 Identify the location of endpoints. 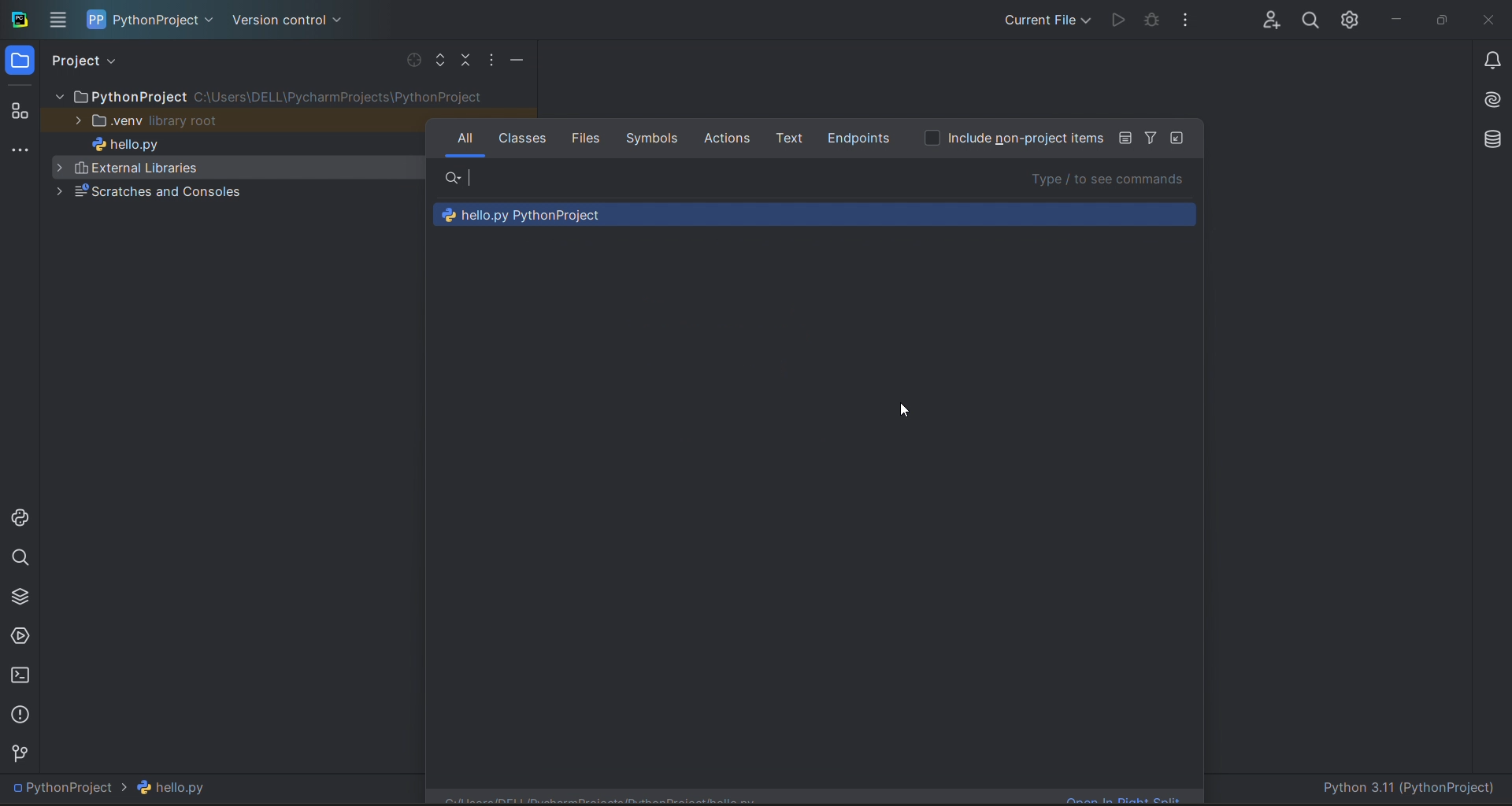
(859, 136).